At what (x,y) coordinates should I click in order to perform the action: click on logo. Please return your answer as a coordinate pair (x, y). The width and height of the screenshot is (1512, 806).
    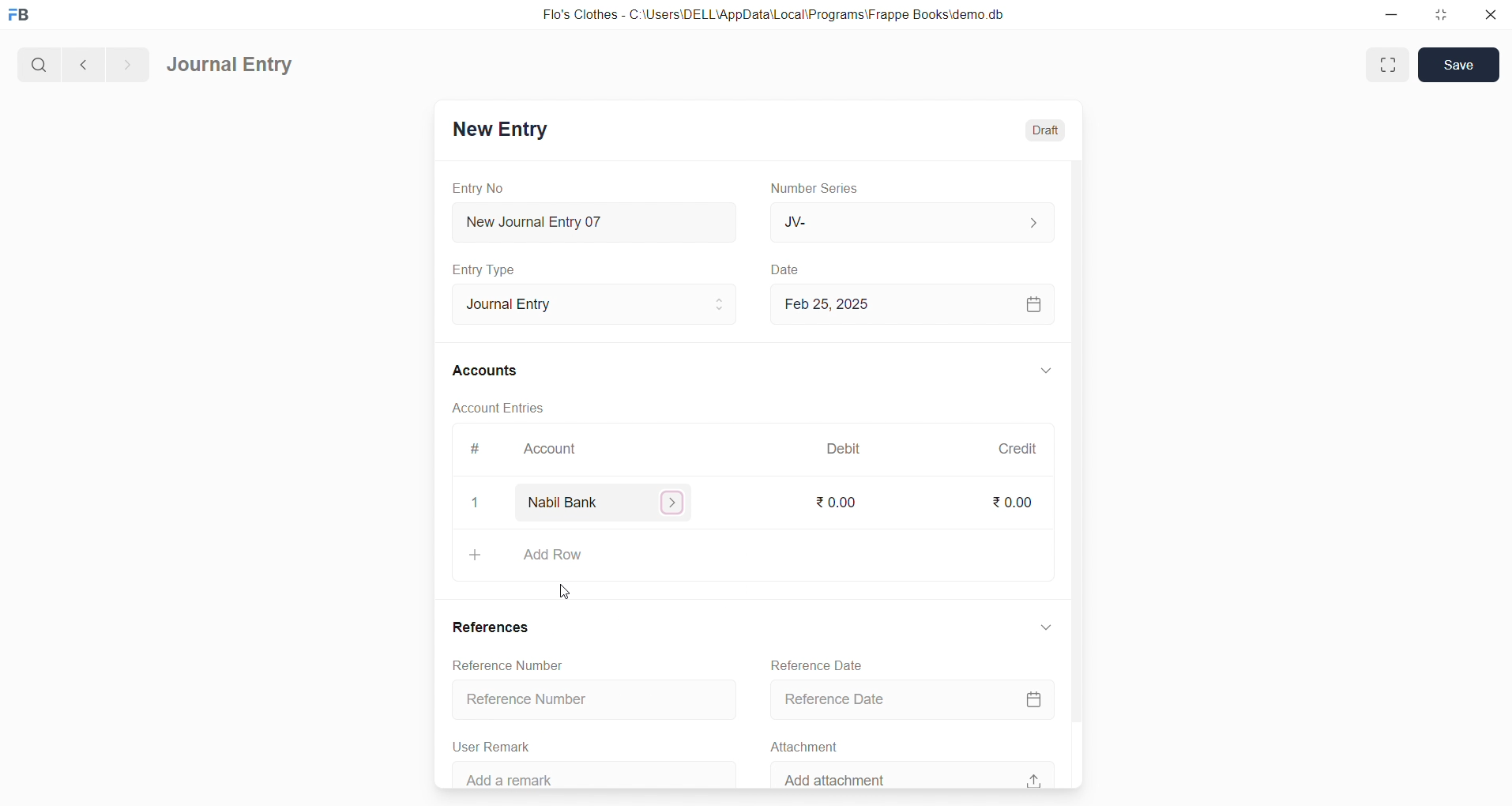
    Looking at the image, I should click on (23, 16).